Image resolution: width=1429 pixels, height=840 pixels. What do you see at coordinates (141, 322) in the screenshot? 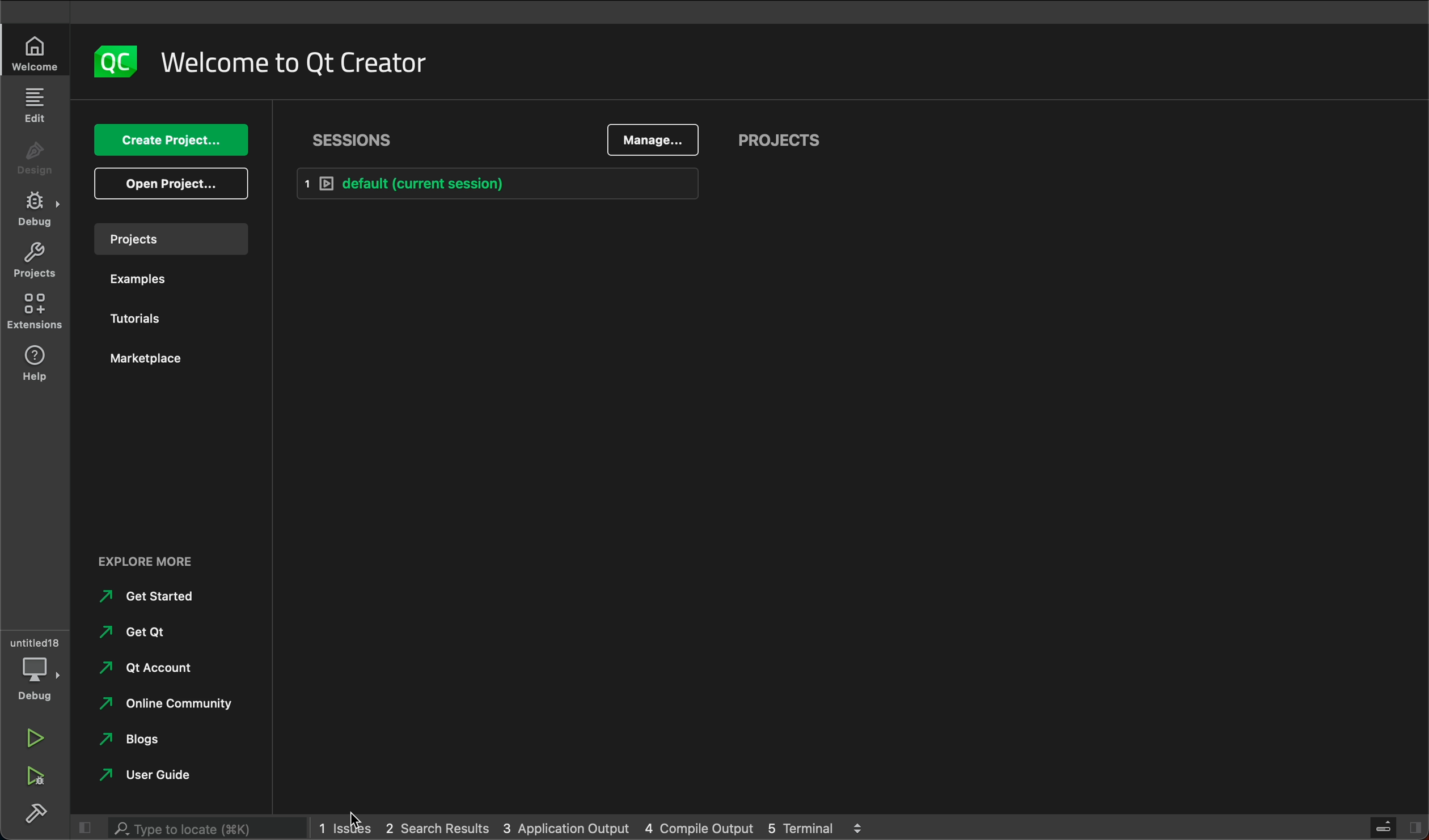
I see `tutorials` at bounding box center [141, 322].